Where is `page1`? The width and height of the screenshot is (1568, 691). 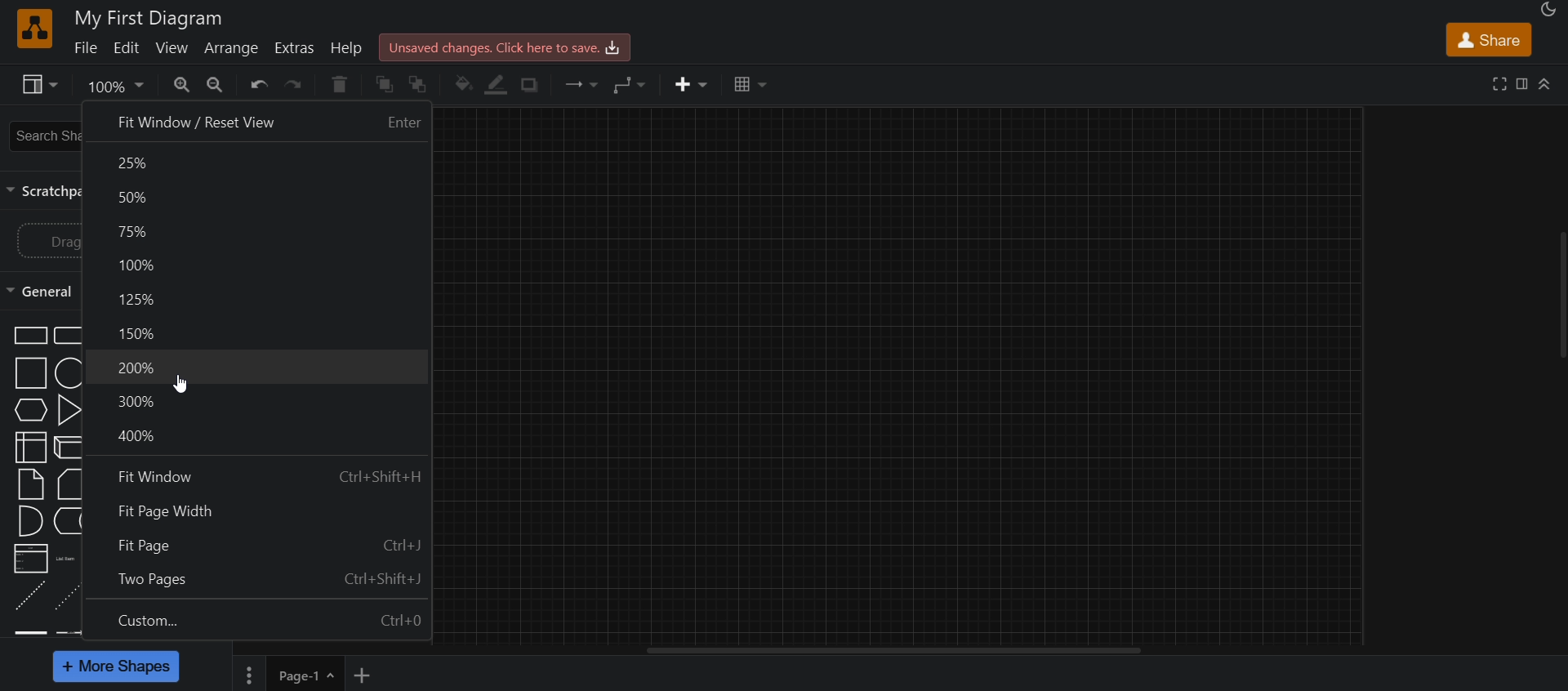
page1 is located at coordinates (287, 676).